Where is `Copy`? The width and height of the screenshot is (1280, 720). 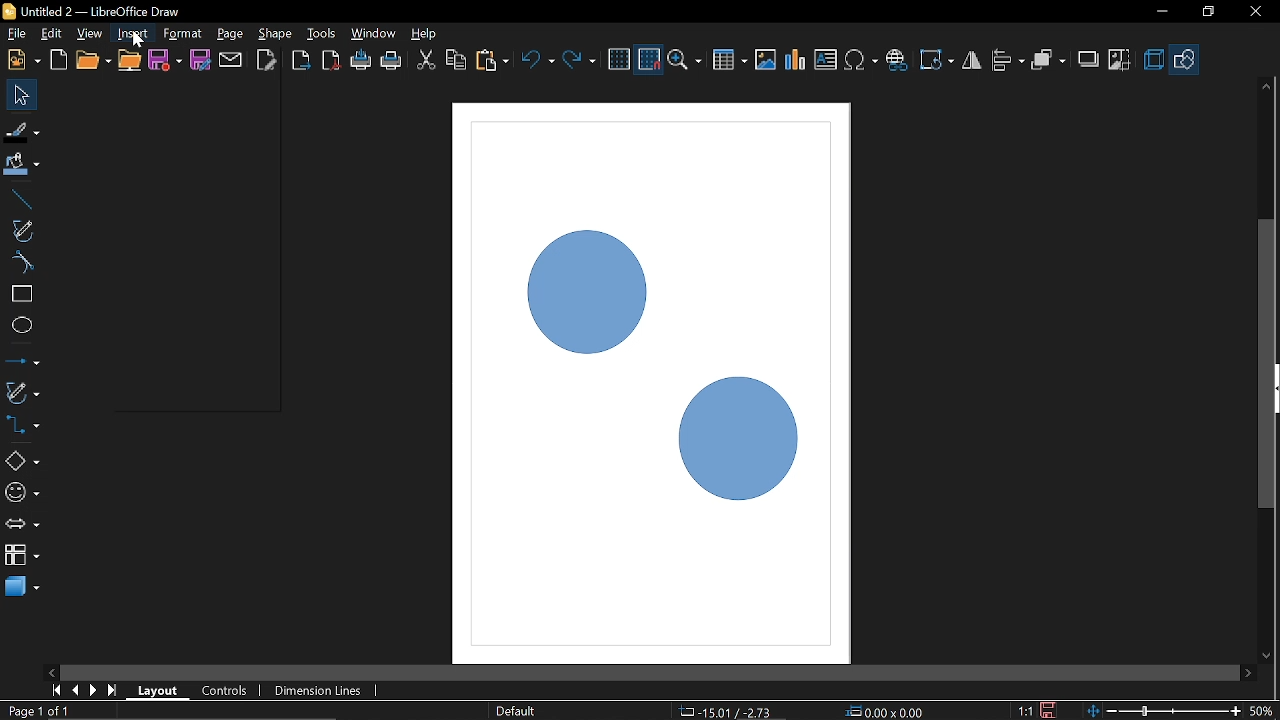 Copy is located at coordinates (456, 63).